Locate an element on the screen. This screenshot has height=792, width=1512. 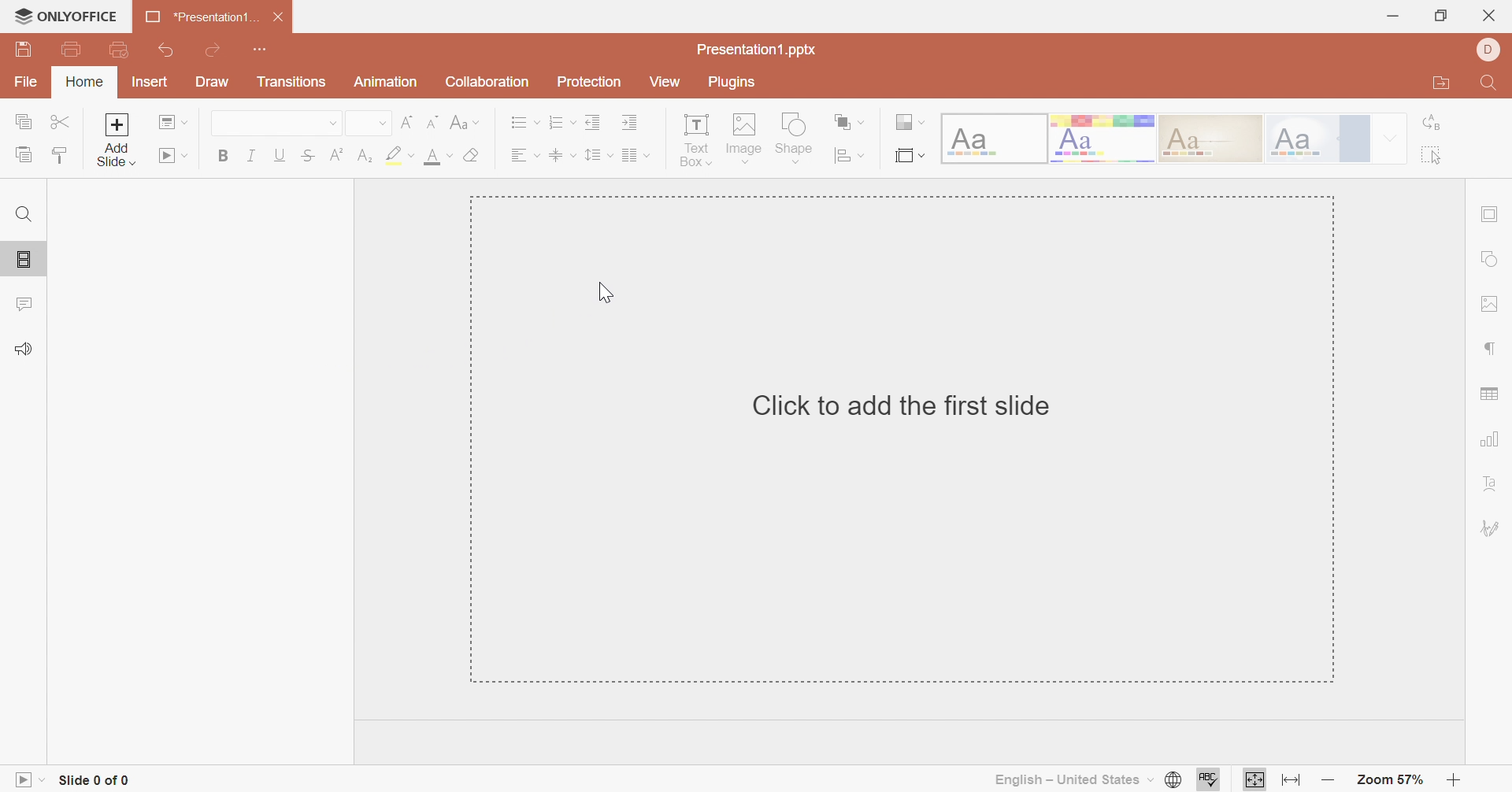
File is located at coordinates (28, 80).